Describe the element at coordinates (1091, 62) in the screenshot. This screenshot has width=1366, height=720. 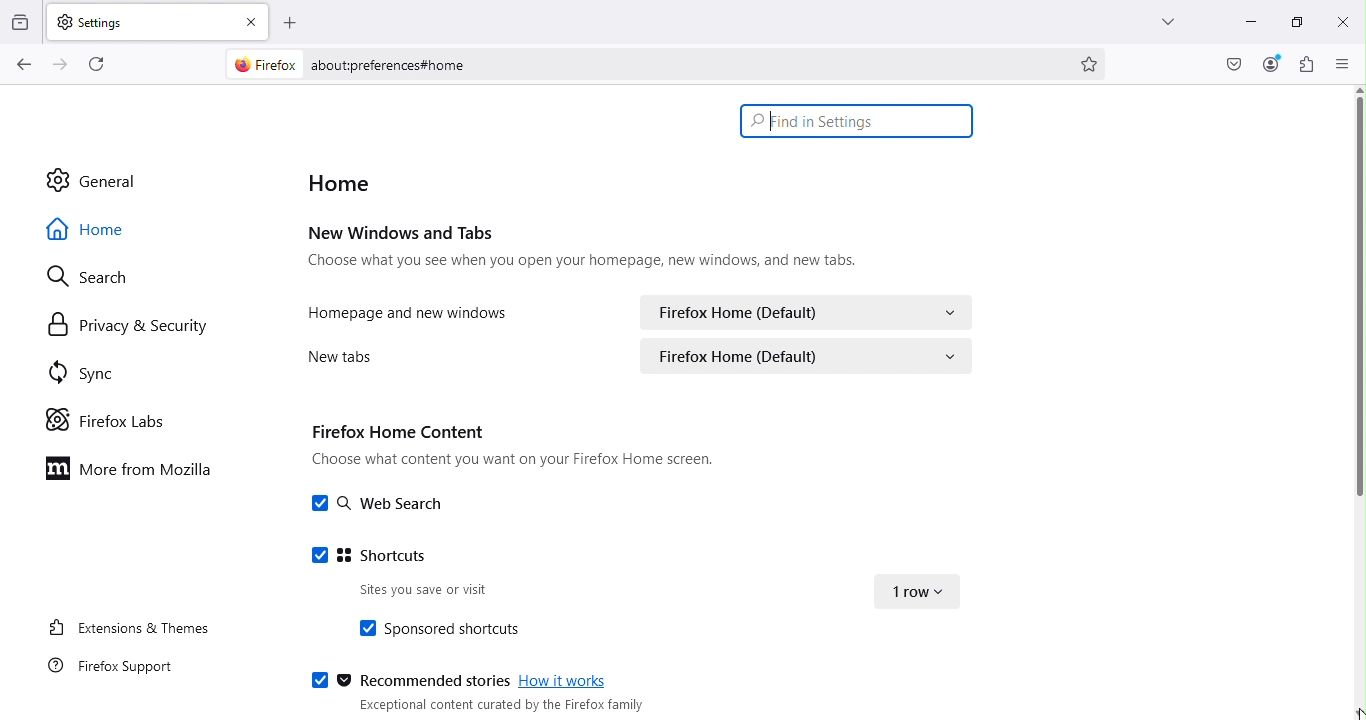
I see `Bookmark this page` at that location.